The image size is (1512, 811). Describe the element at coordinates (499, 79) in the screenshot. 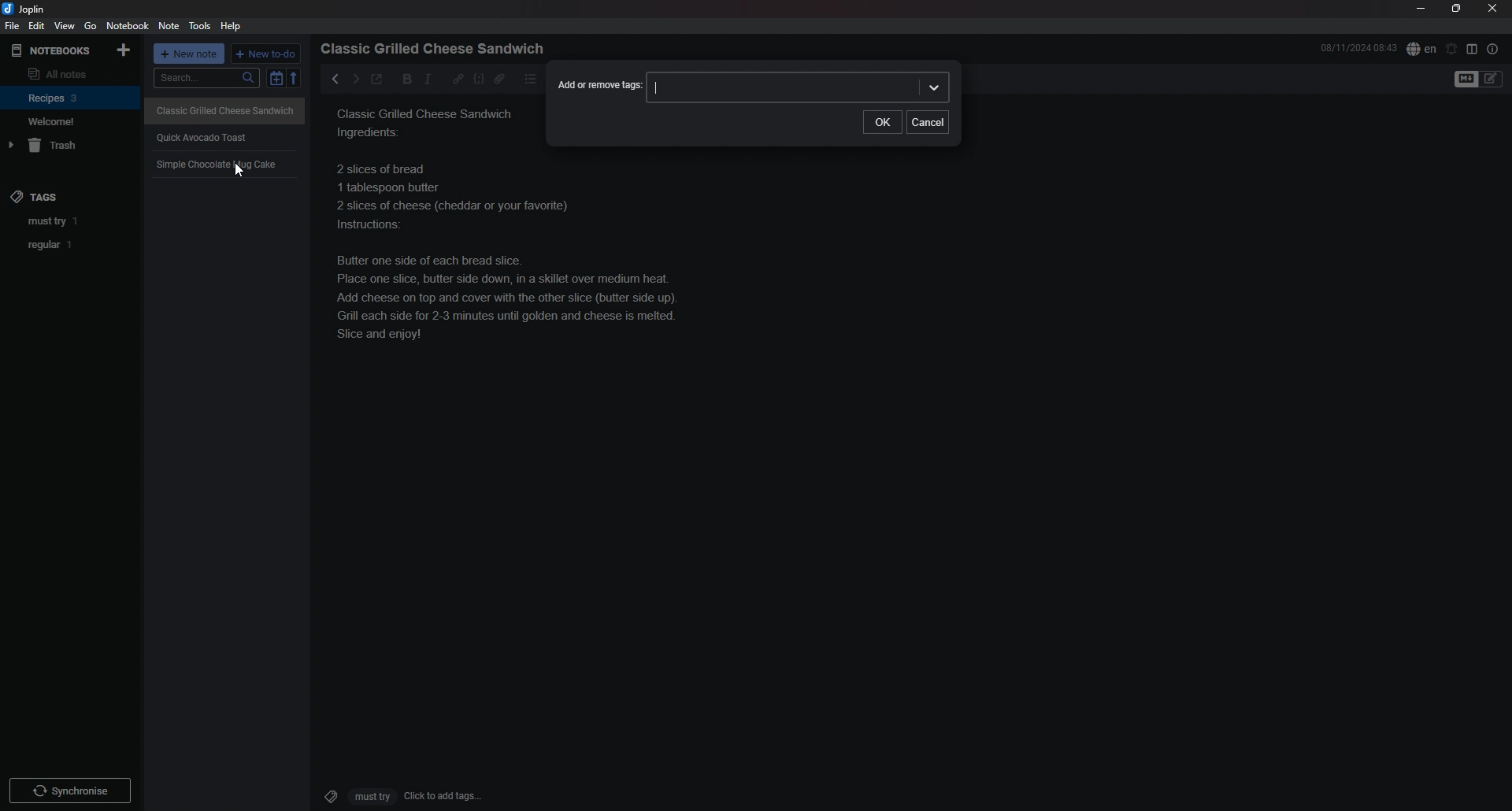

I see `attachment` at that location.